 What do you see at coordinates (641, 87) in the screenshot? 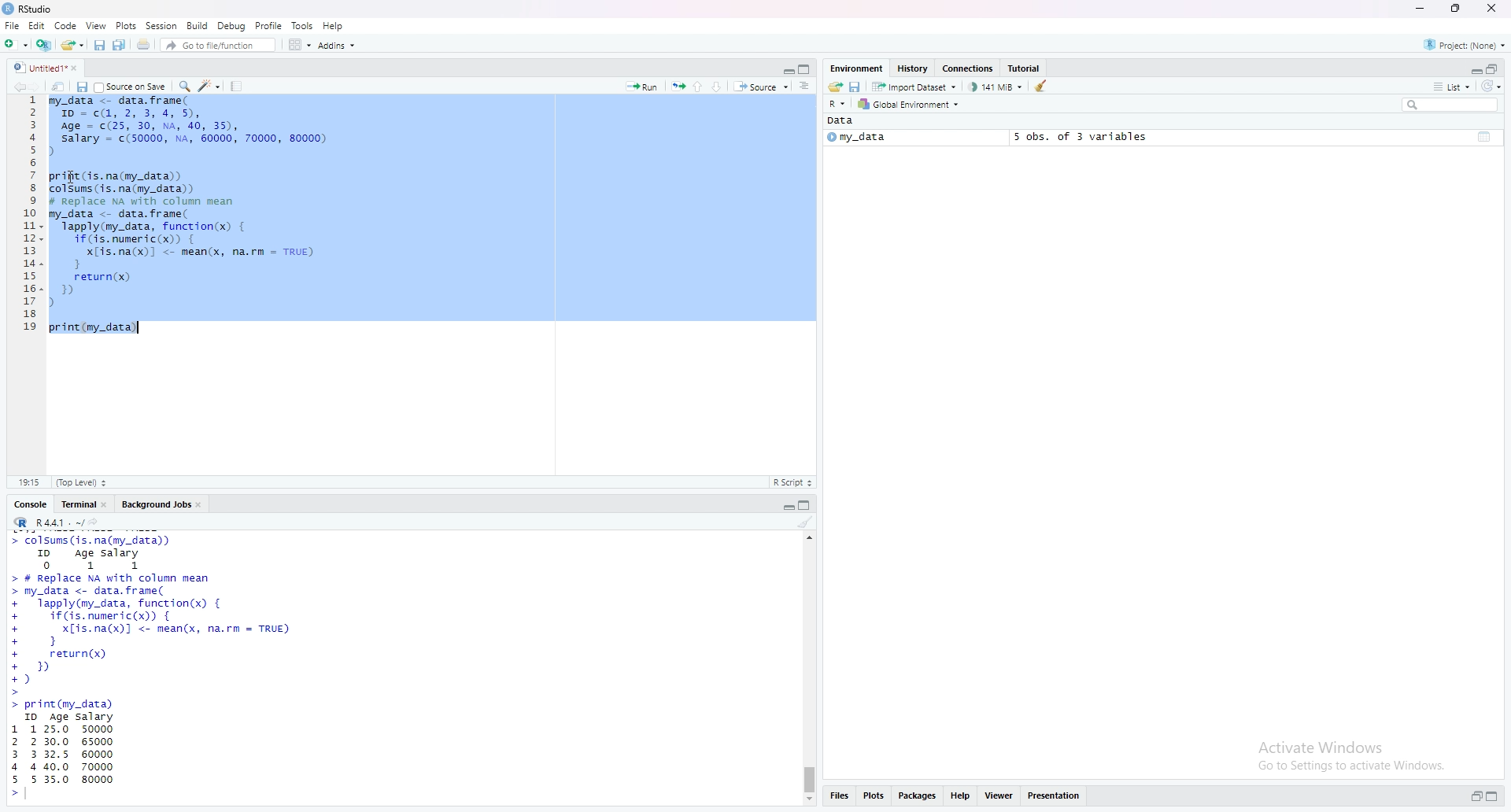
I see `run` at bounding box center [641, 87].